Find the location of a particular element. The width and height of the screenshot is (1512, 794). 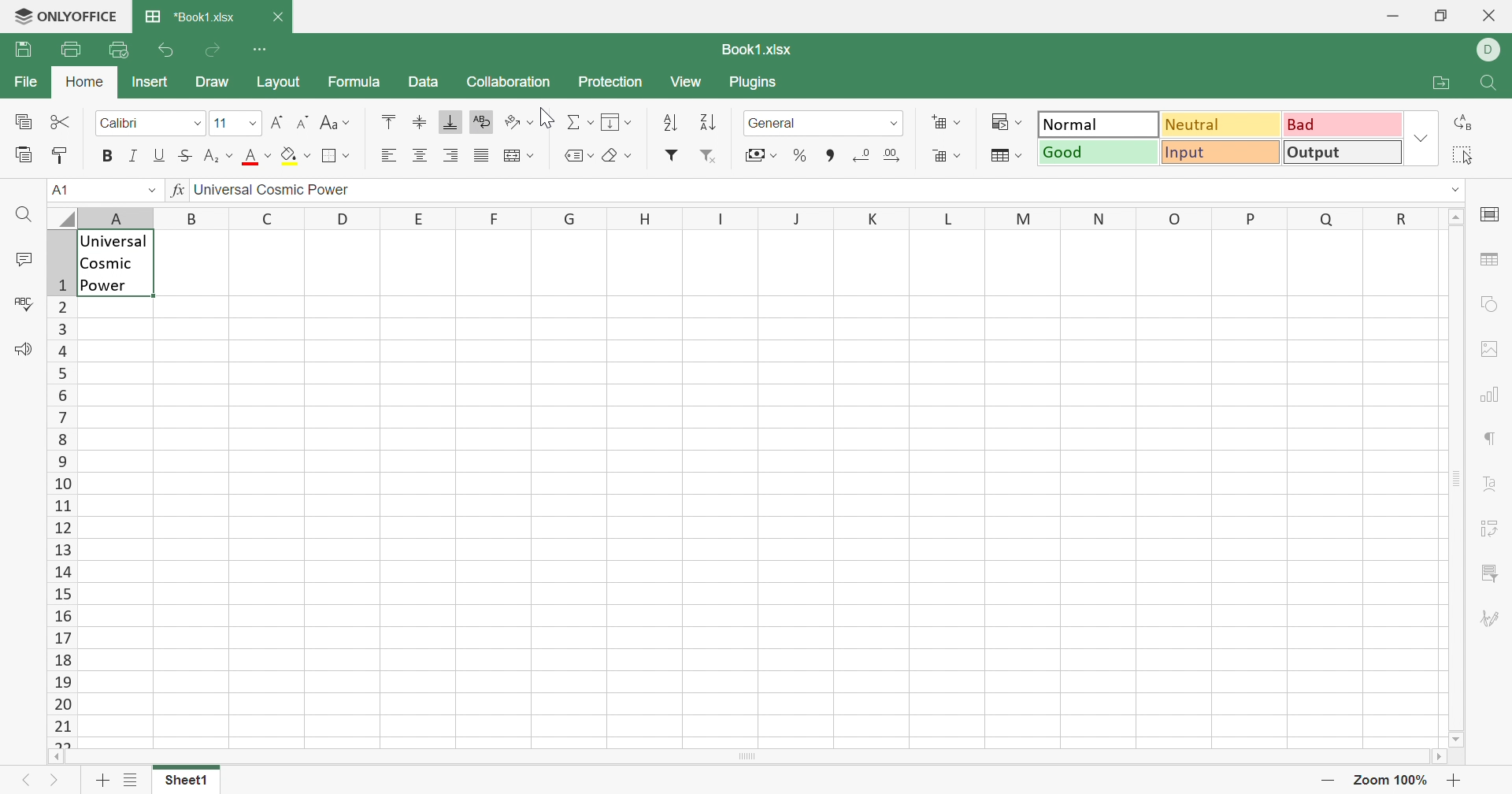

fx is located at coordinates (174, 191).